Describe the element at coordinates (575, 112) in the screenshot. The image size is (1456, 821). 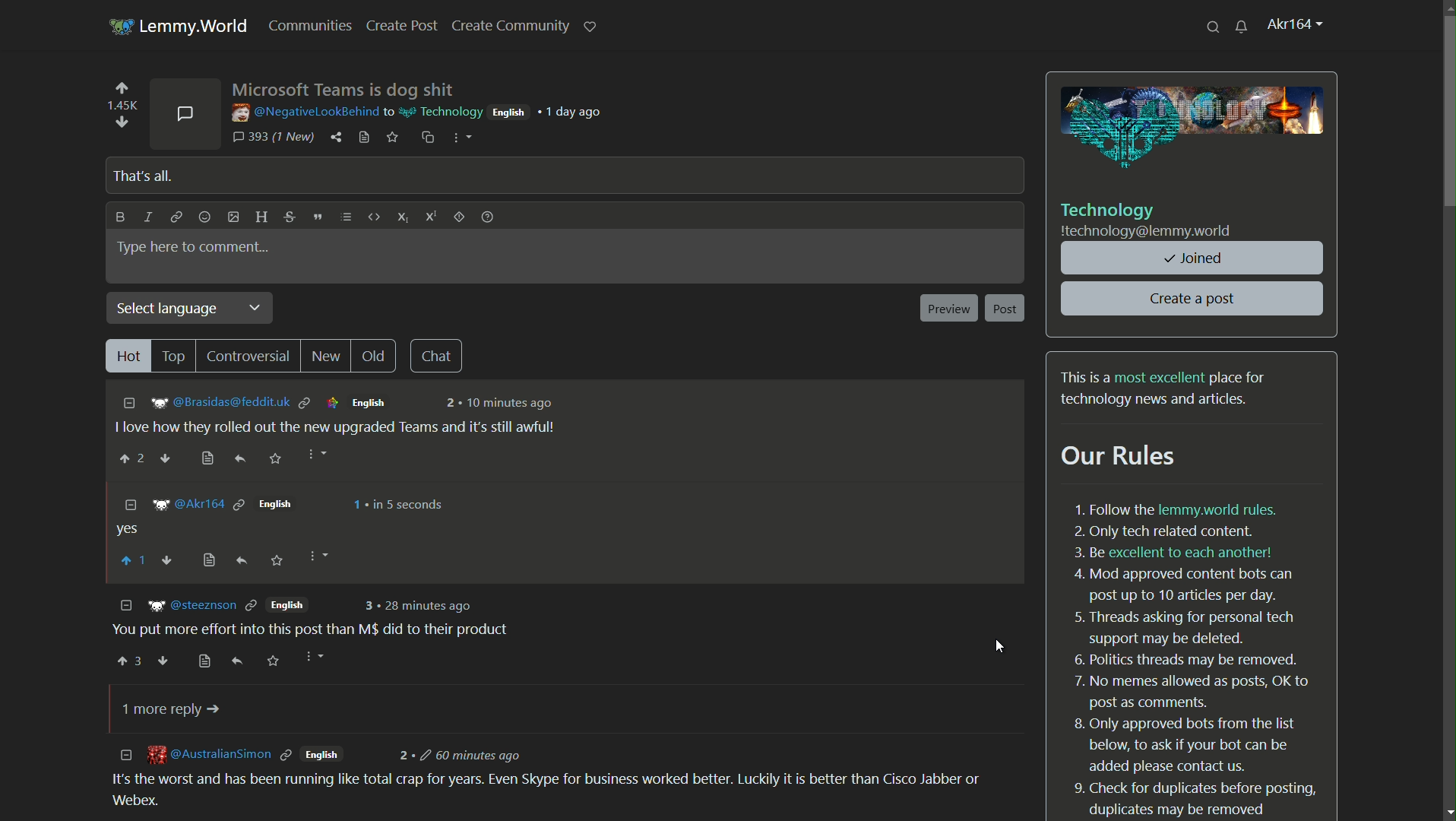
I see `1 day ago` at that location.